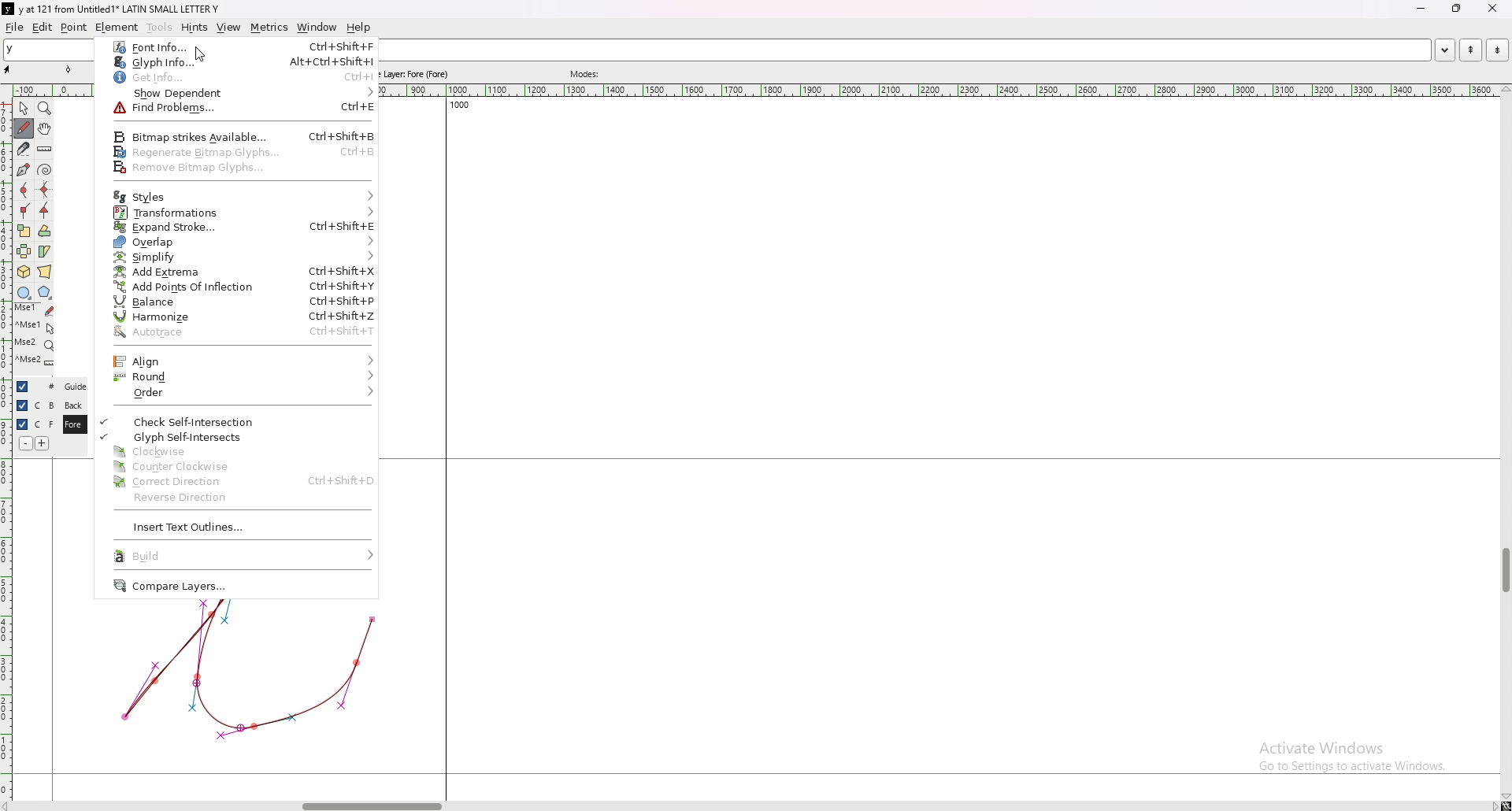  What do you see at coordinates (372, 802) in the screenshot?
I see `scroll bar horizontal` at bounding box center [372, 802].